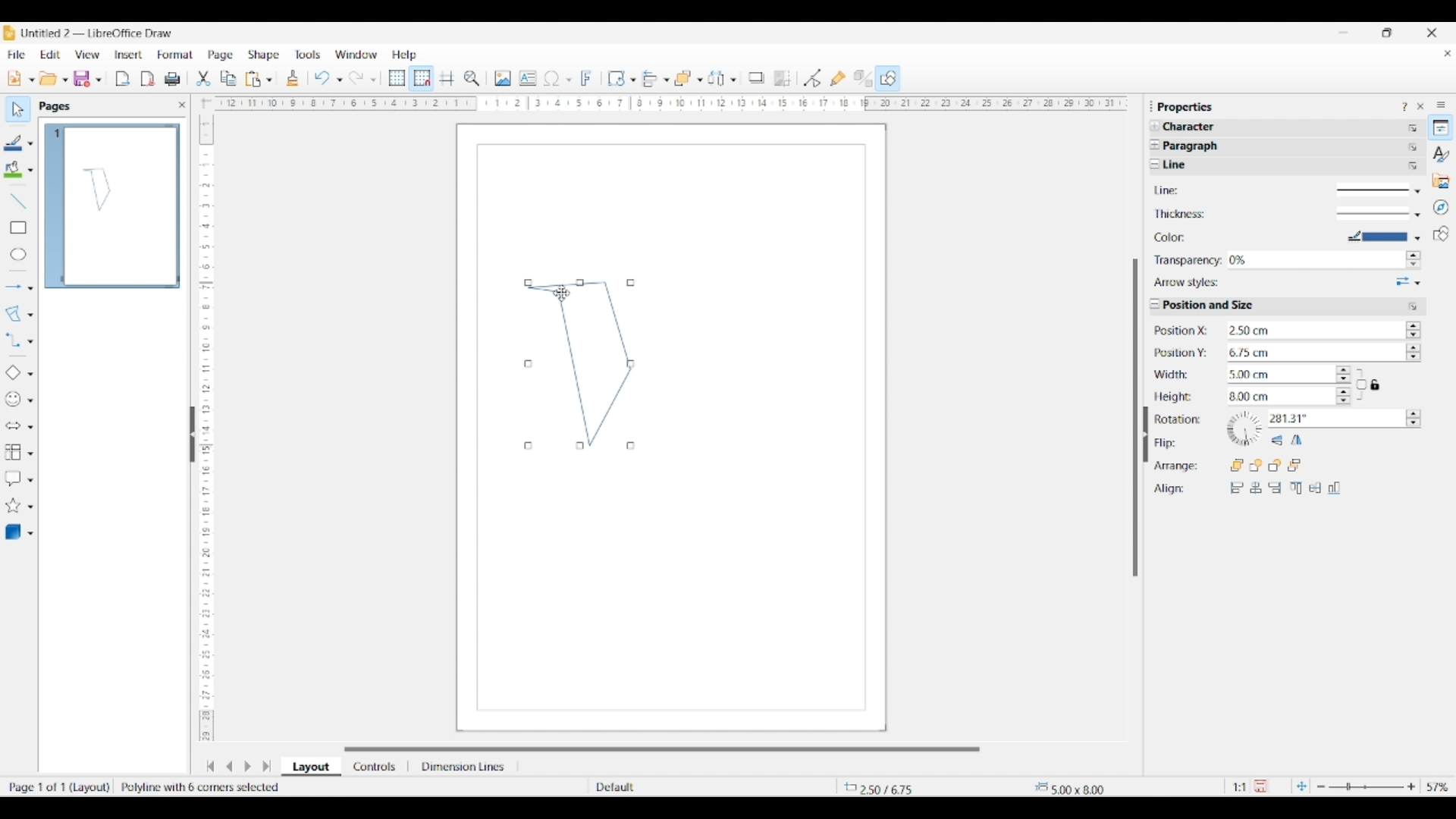  What do you see at coordinates (1301, 786) in the screenshot?
I see `Fit page to current window` at bounding box center [1301, 786].